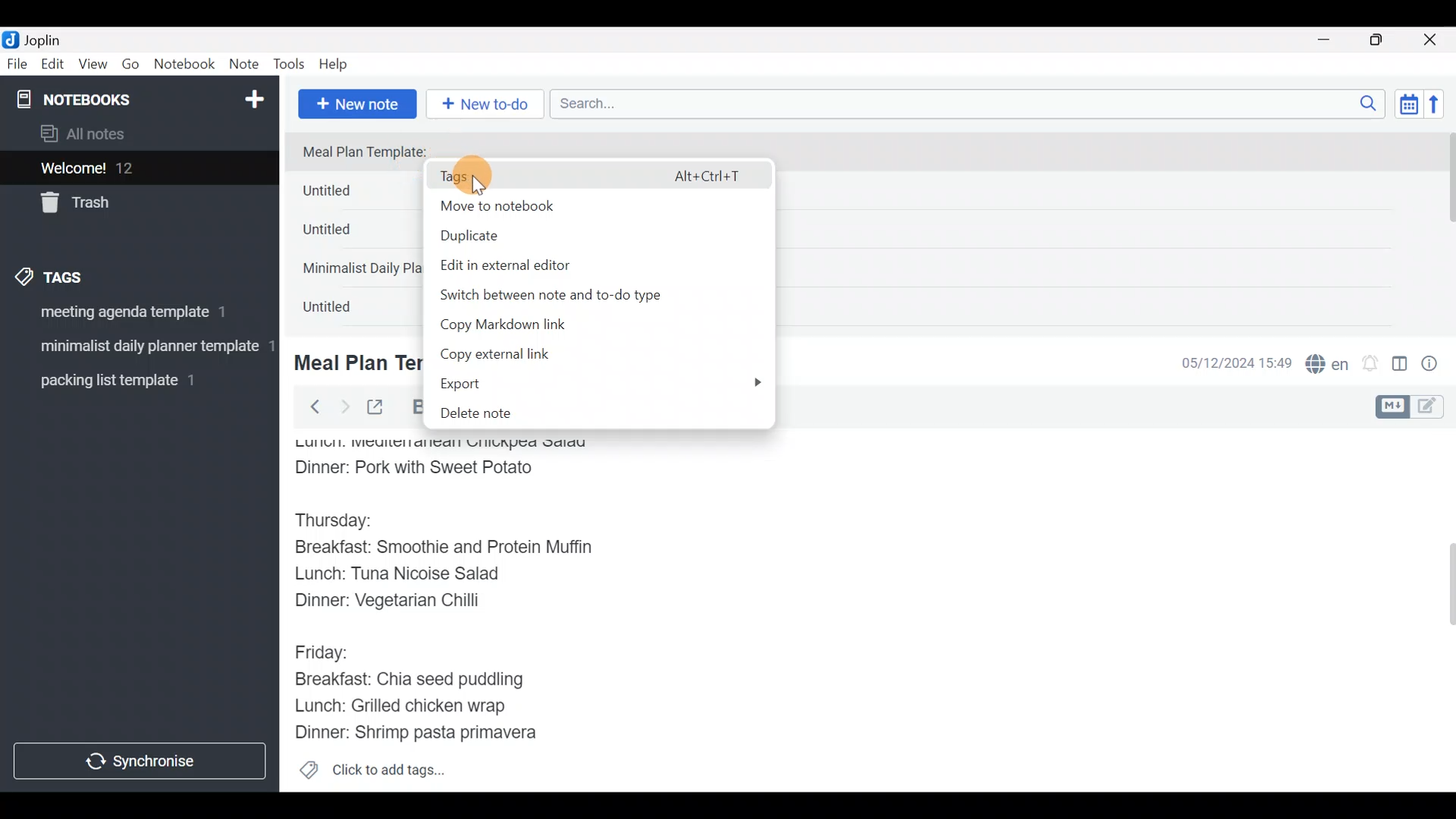 The image size is (1456, 819). Describe the element at coordinates (541, 328) in the screenshot. I see `Copy markdown link` at that location.